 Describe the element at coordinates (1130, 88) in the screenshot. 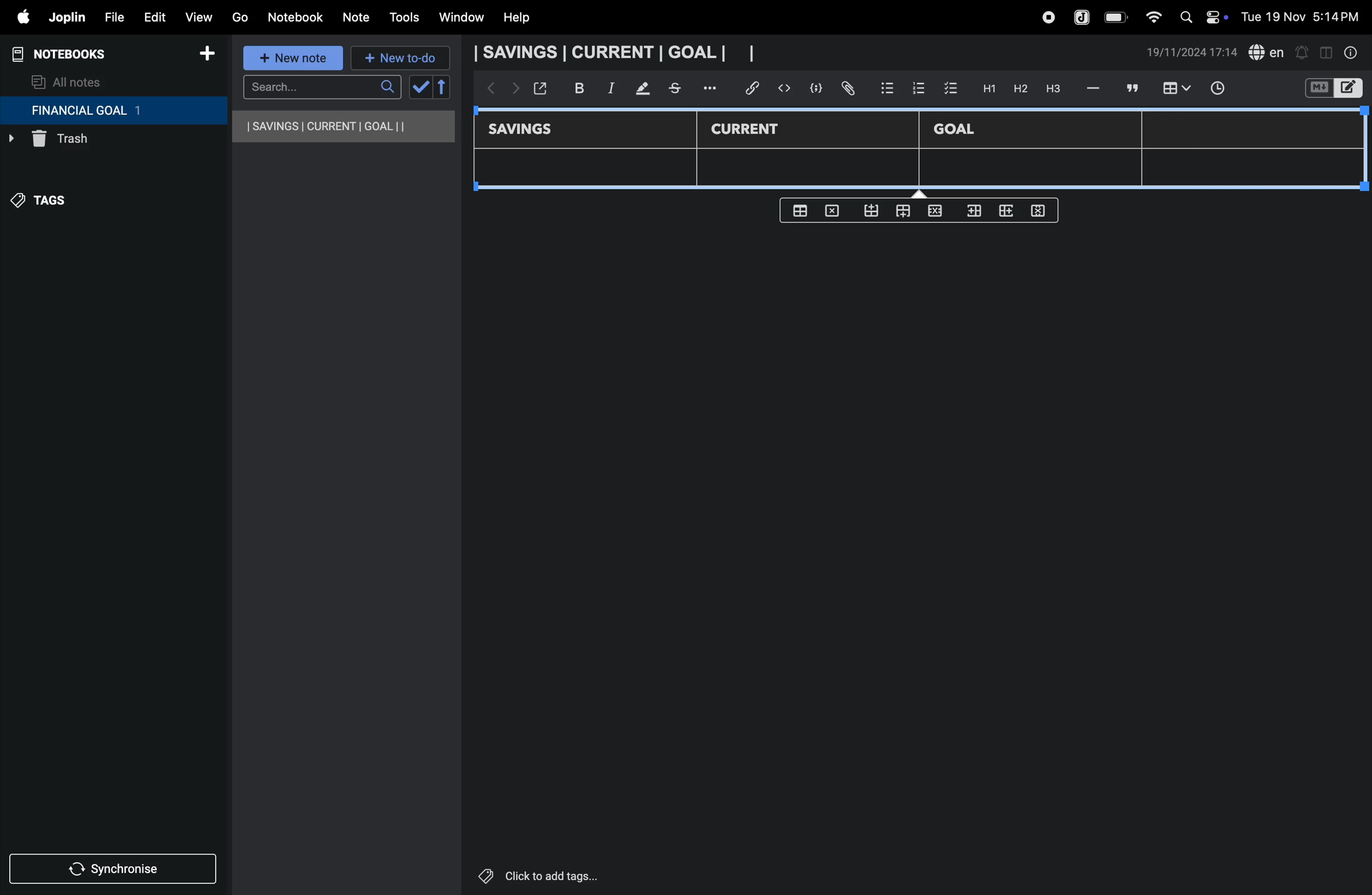

I see `comment` at that location.